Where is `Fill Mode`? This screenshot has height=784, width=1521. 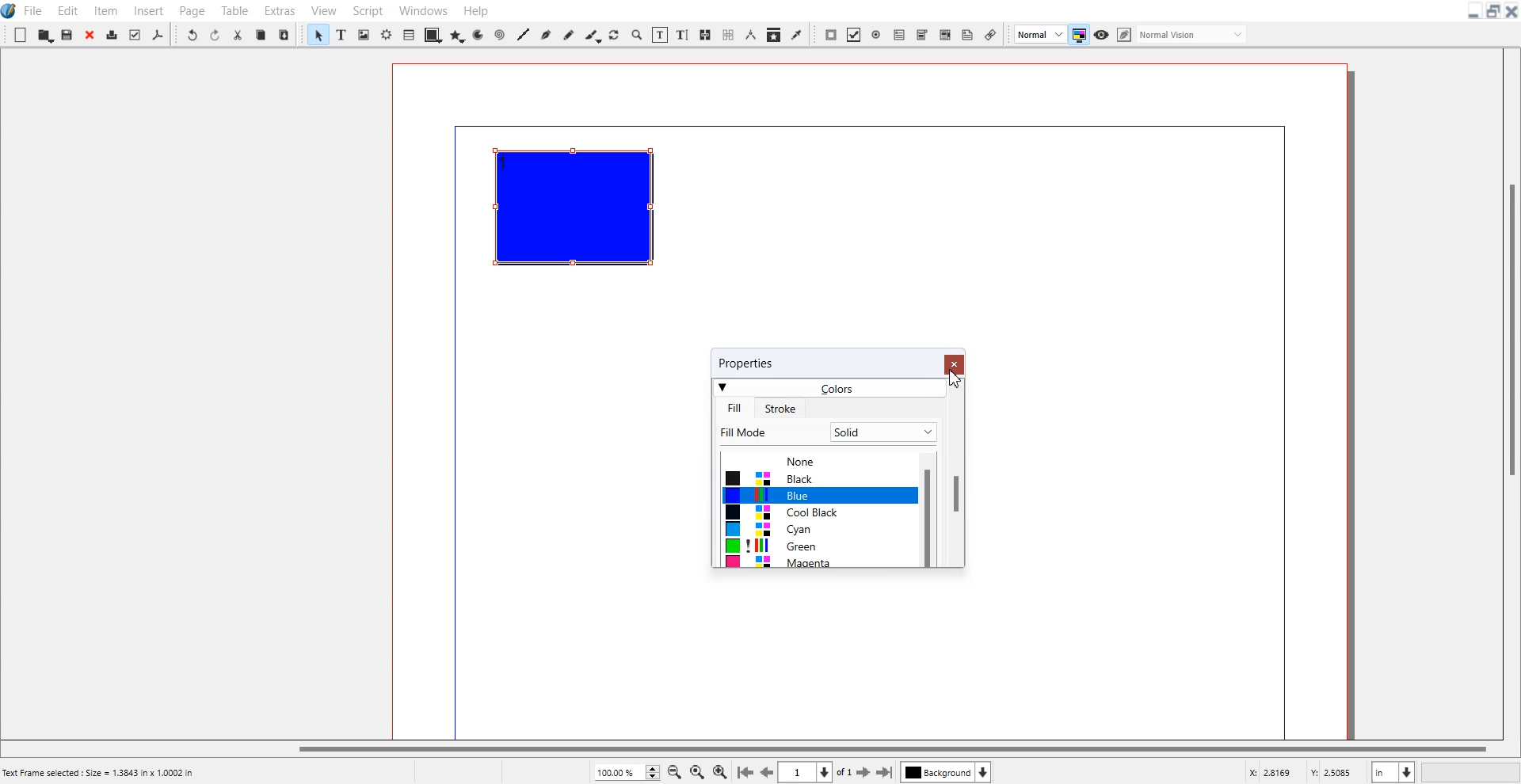 Fill Mode is located at coordinates (828, 432).